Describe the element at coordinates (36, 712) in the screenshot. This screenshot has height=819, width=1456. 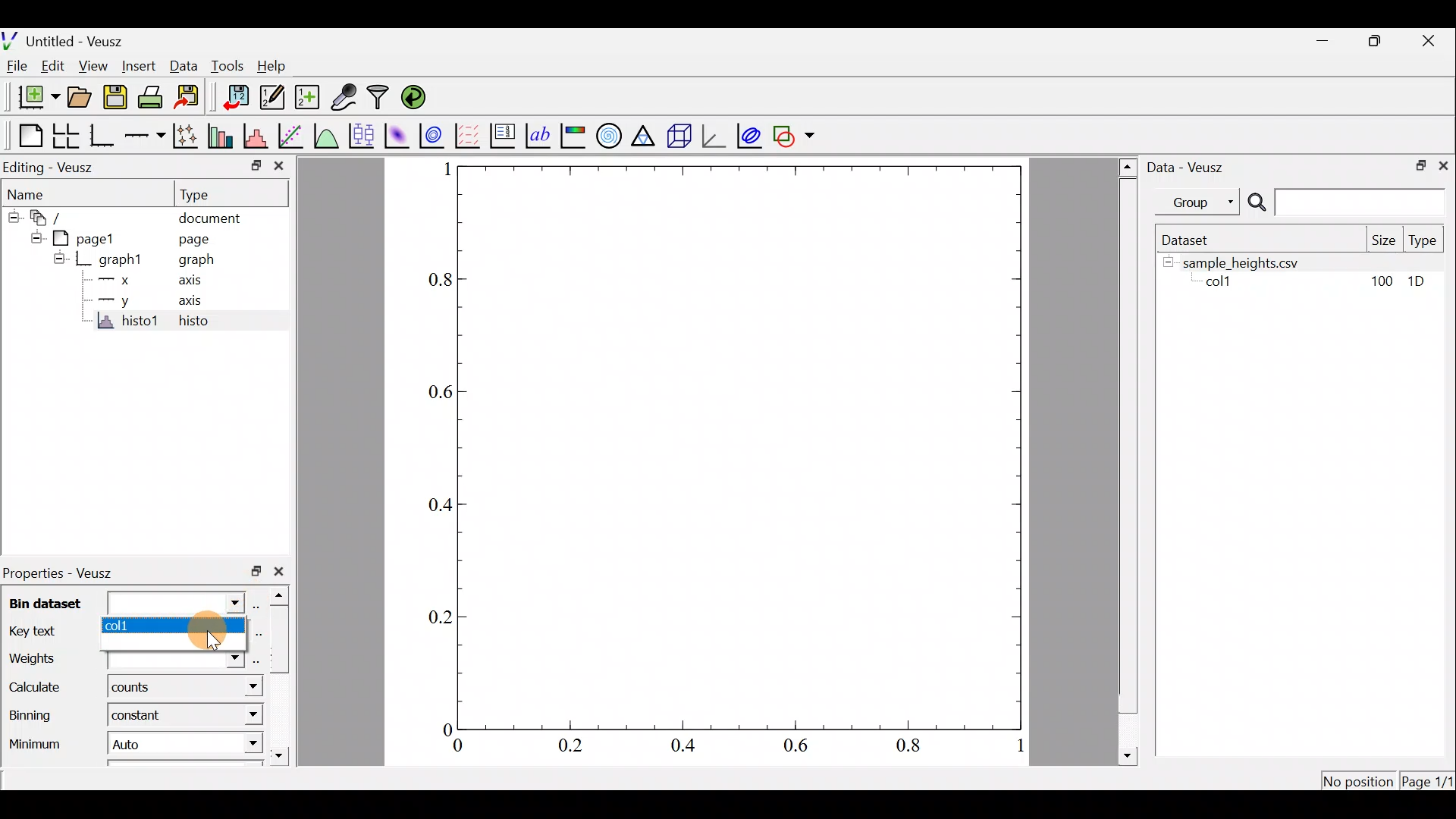
I see `Binning` at that location.